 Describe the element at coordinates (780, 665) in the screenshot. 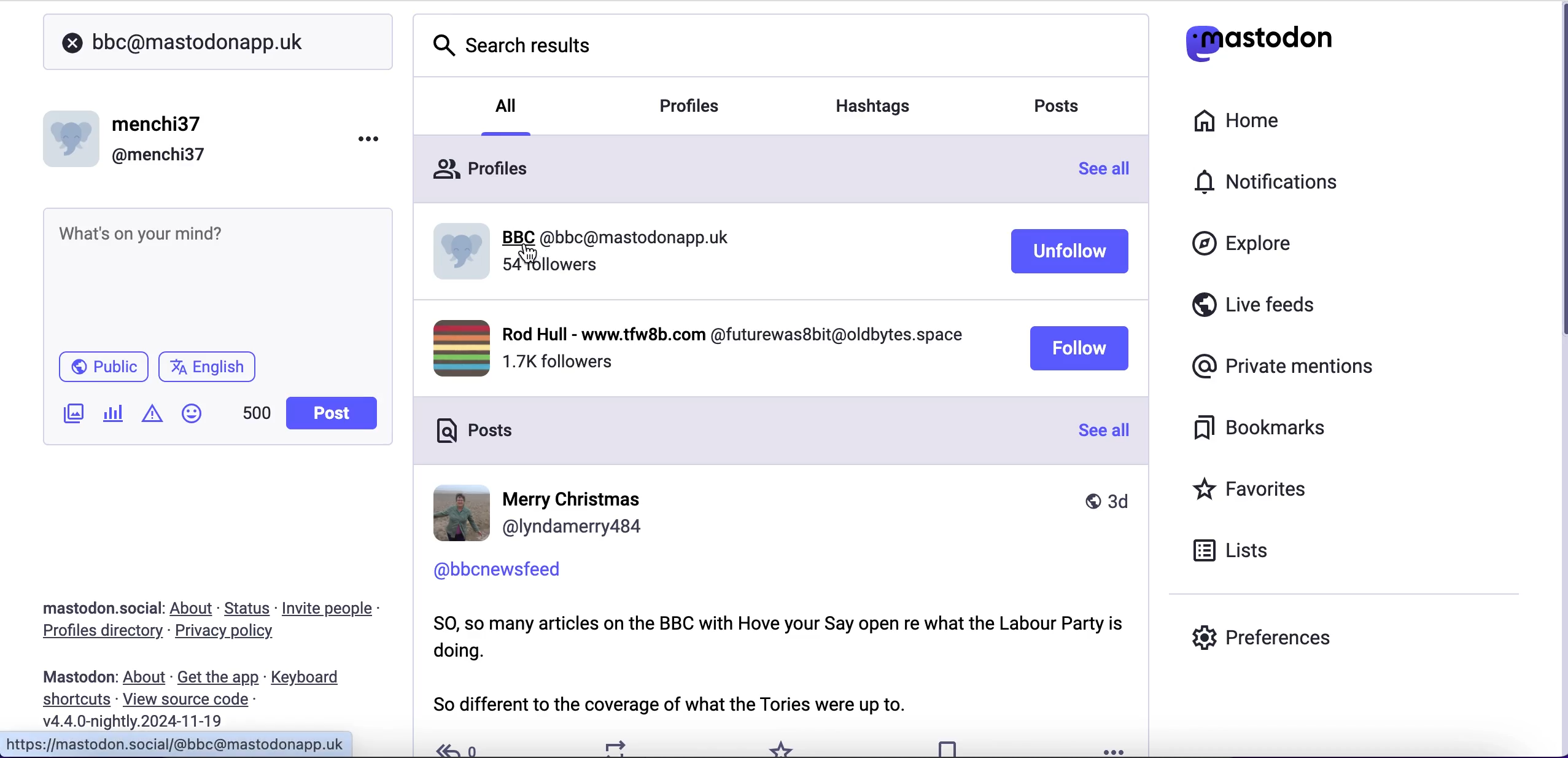

I see `message` at that location.